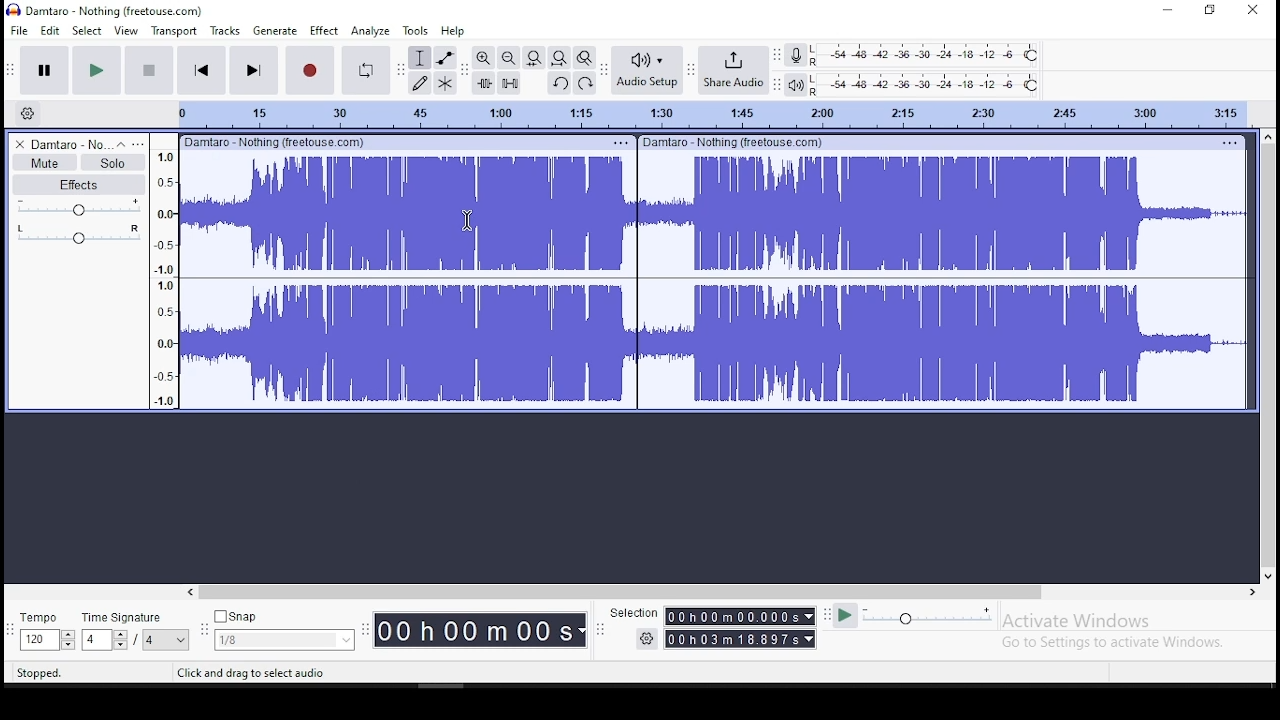 The width and height of the screenshot is (1280, 720). Describe the element at coordinates (740, 639) in the screenshot. I see `time menu` at that location.